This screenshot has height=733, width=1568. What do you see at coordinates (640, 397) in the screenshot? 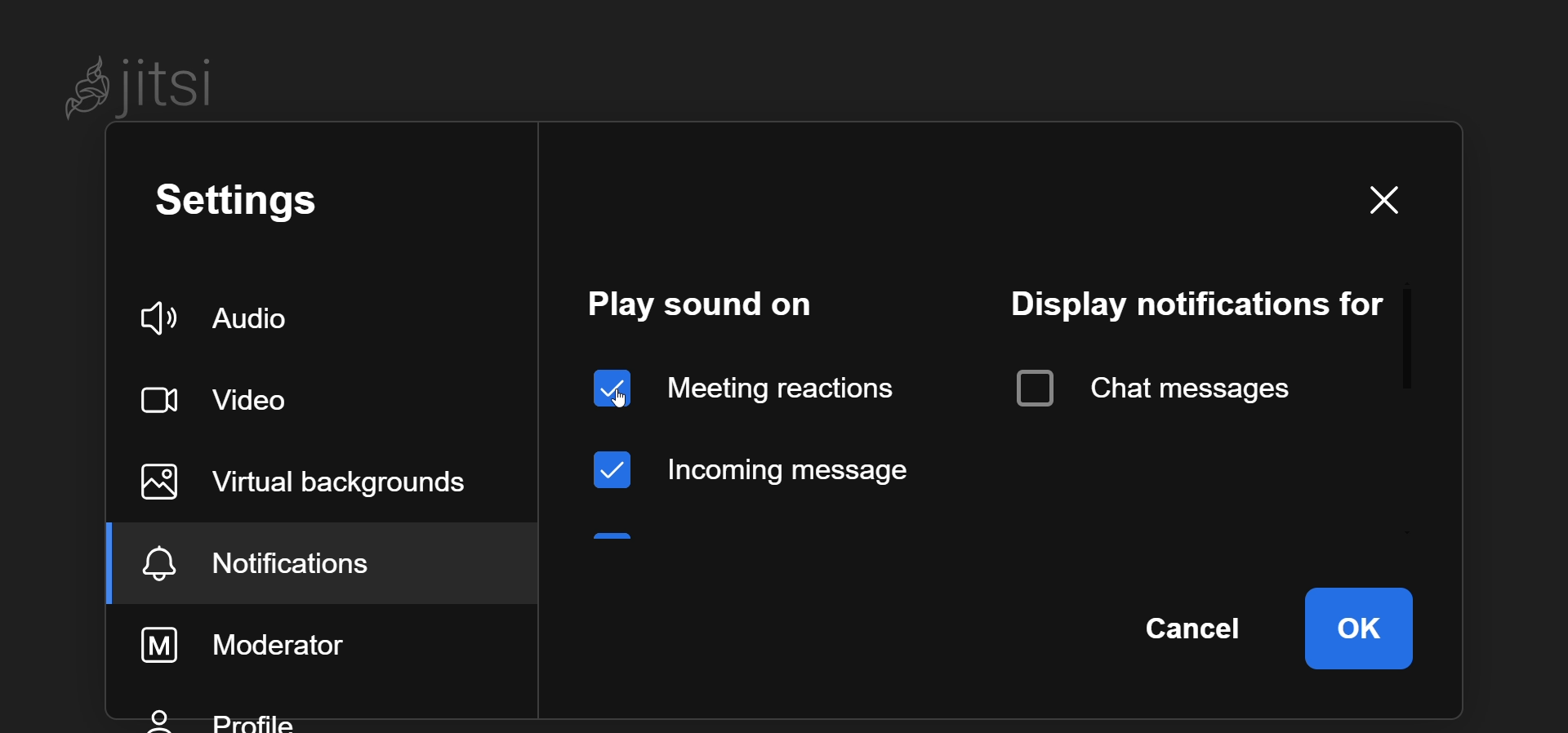
I see `cursor` at bounding box center [640, 397].